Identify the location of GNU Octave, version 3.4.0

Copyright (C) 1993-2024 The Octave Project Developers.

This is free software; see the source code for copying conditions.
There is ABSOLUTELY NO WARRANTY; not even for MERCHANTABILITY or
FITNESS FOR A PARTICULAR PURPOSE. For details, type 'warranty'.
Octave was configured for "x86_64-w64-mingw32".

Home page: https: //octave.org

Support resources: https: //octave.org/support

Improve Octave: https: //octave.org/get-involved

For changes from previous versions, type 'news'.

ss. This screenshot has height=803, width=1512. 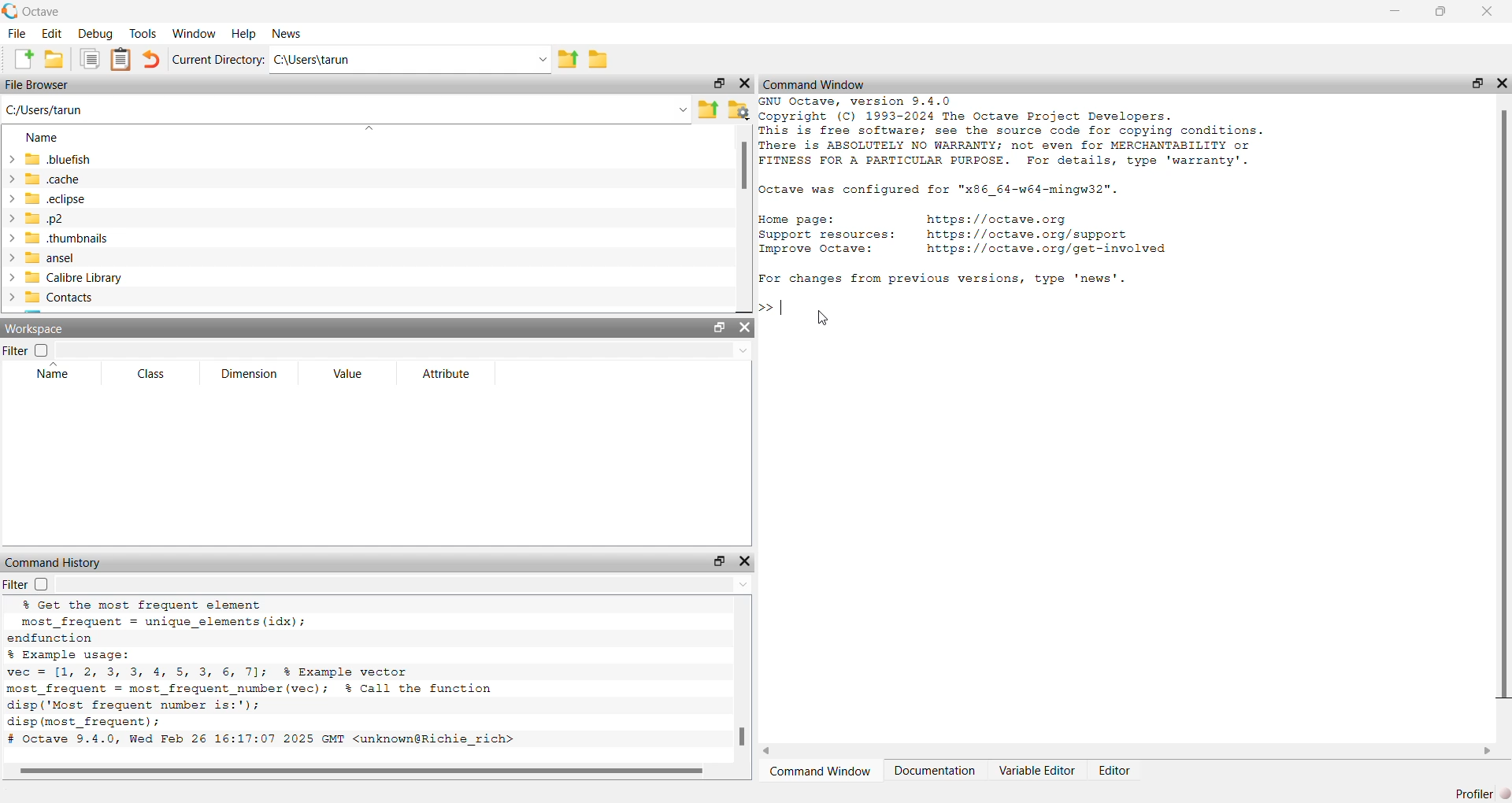
(1016, 207).